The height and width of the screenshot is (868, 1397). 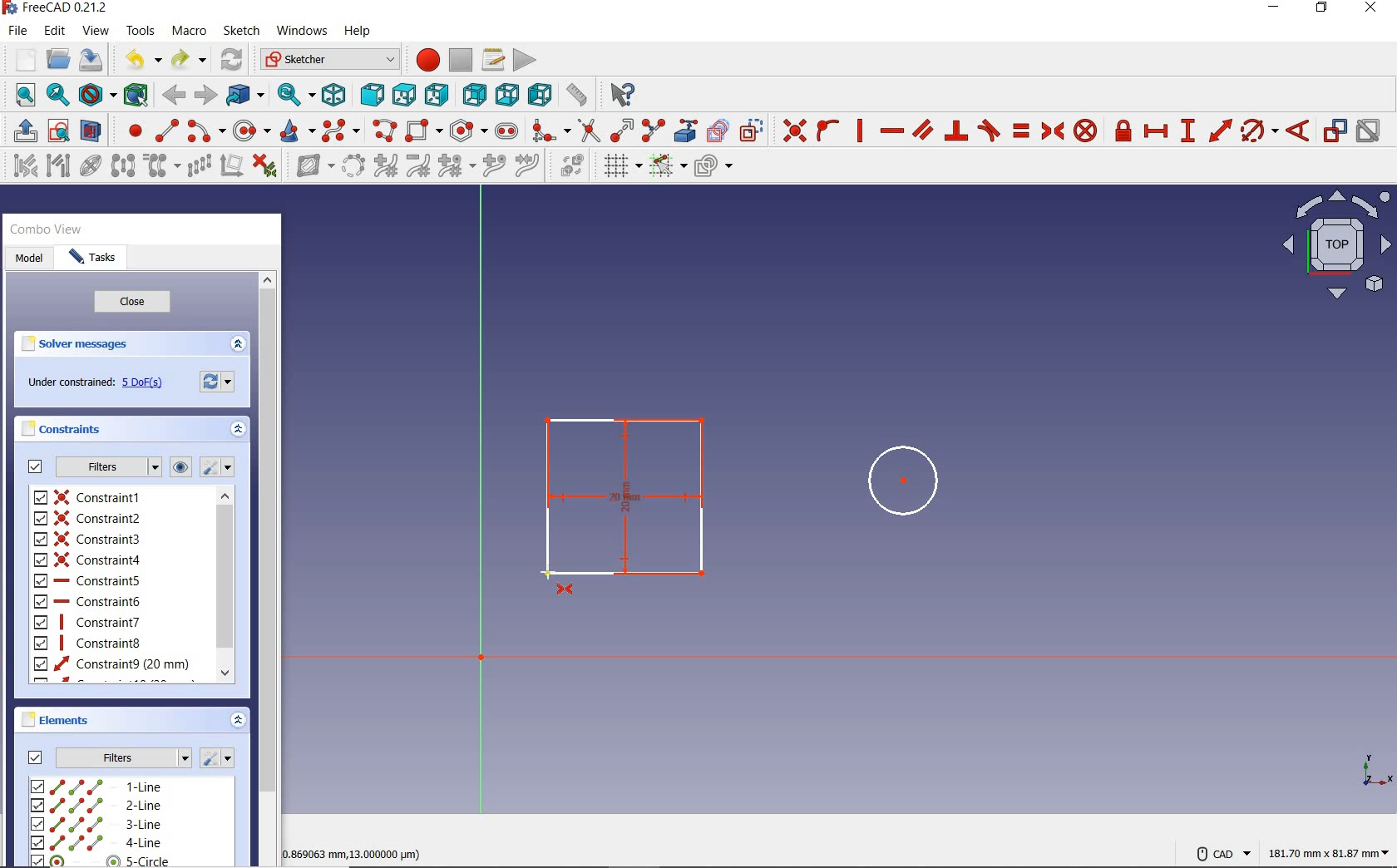 I want to click on constrain equal, so click(x=1021, y=133).